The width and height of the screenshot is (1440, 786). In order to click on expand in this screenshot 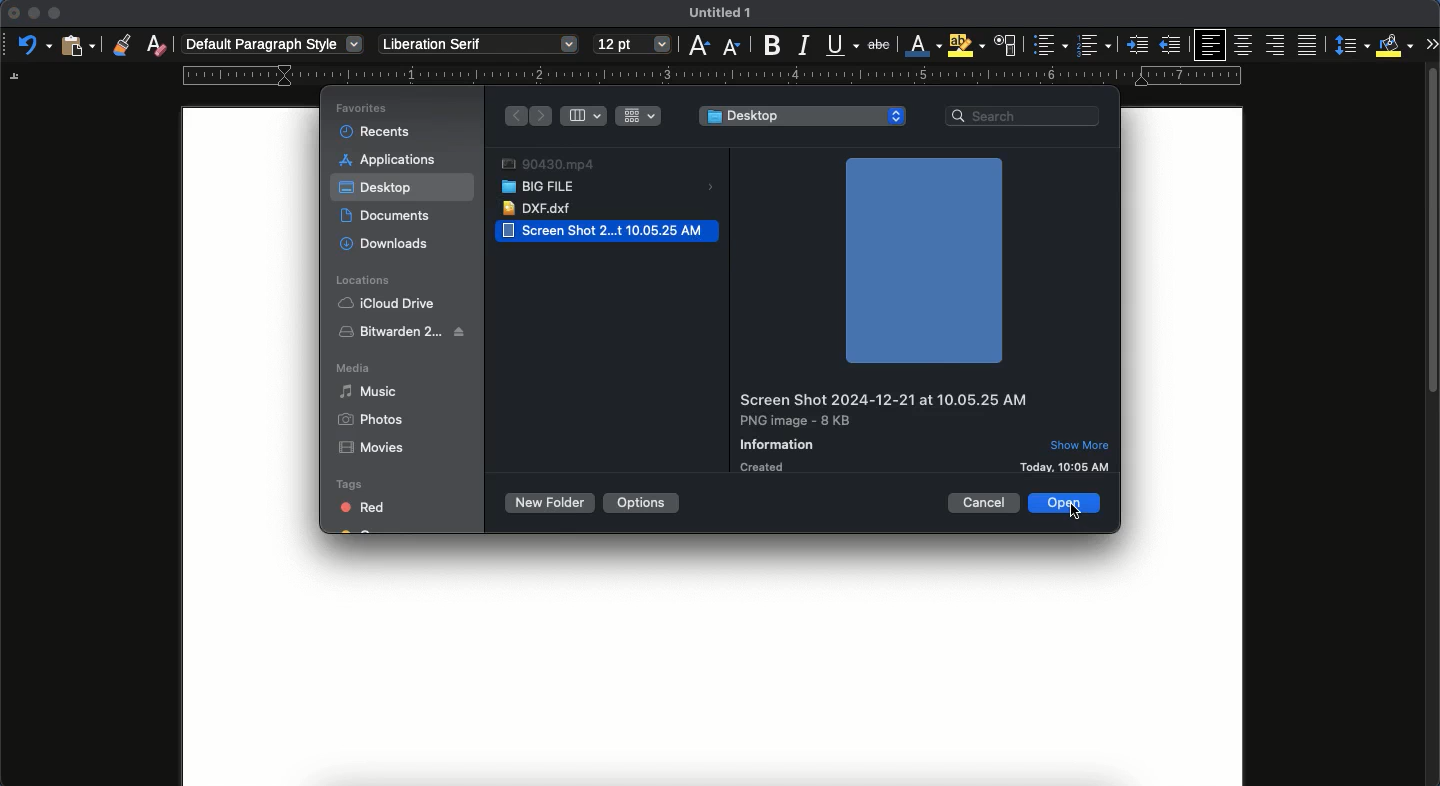, I will do `click(1426, 43)`.